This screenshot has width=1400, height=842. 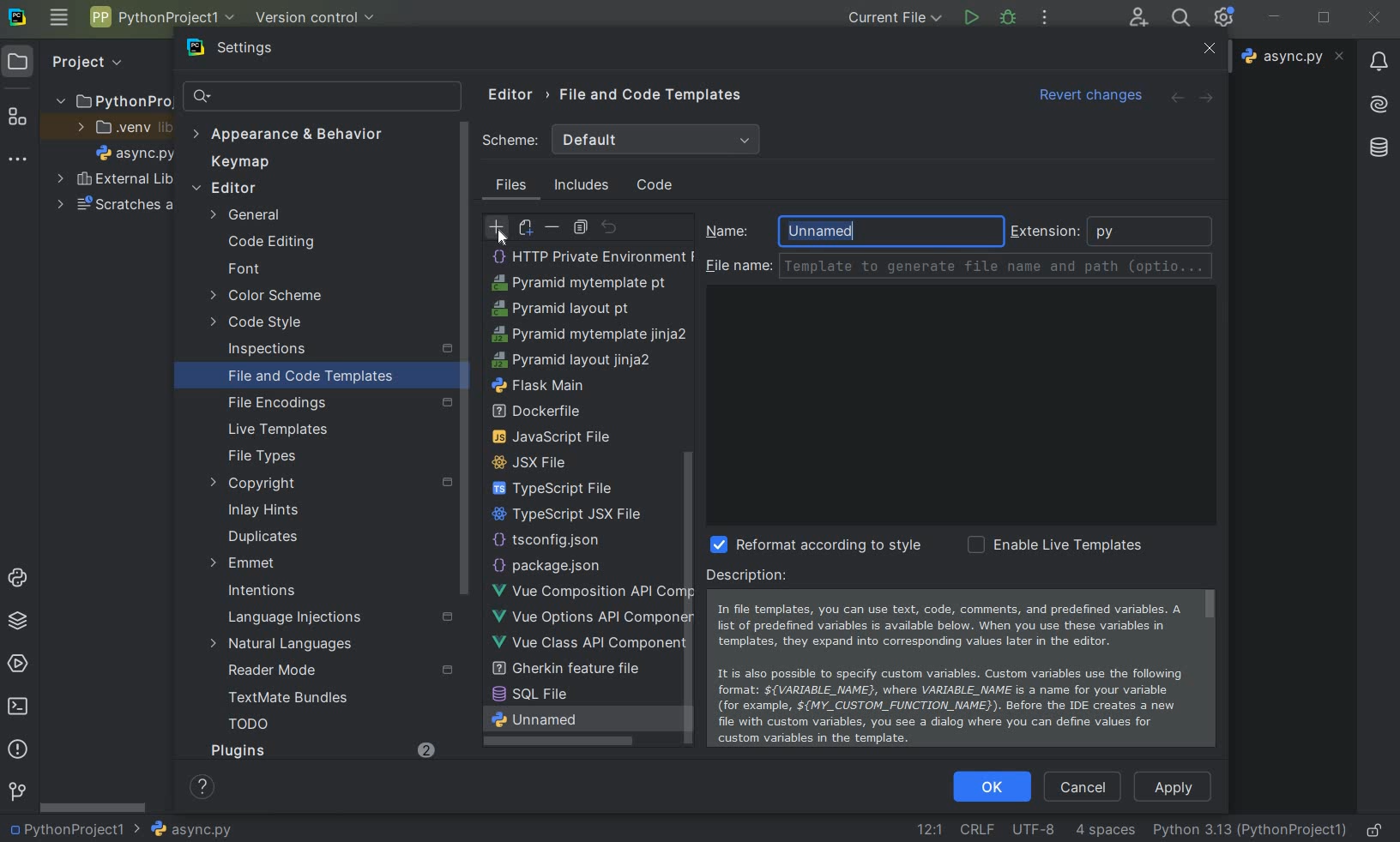 I want to click on inlay hints, so click(x=287, y=512).